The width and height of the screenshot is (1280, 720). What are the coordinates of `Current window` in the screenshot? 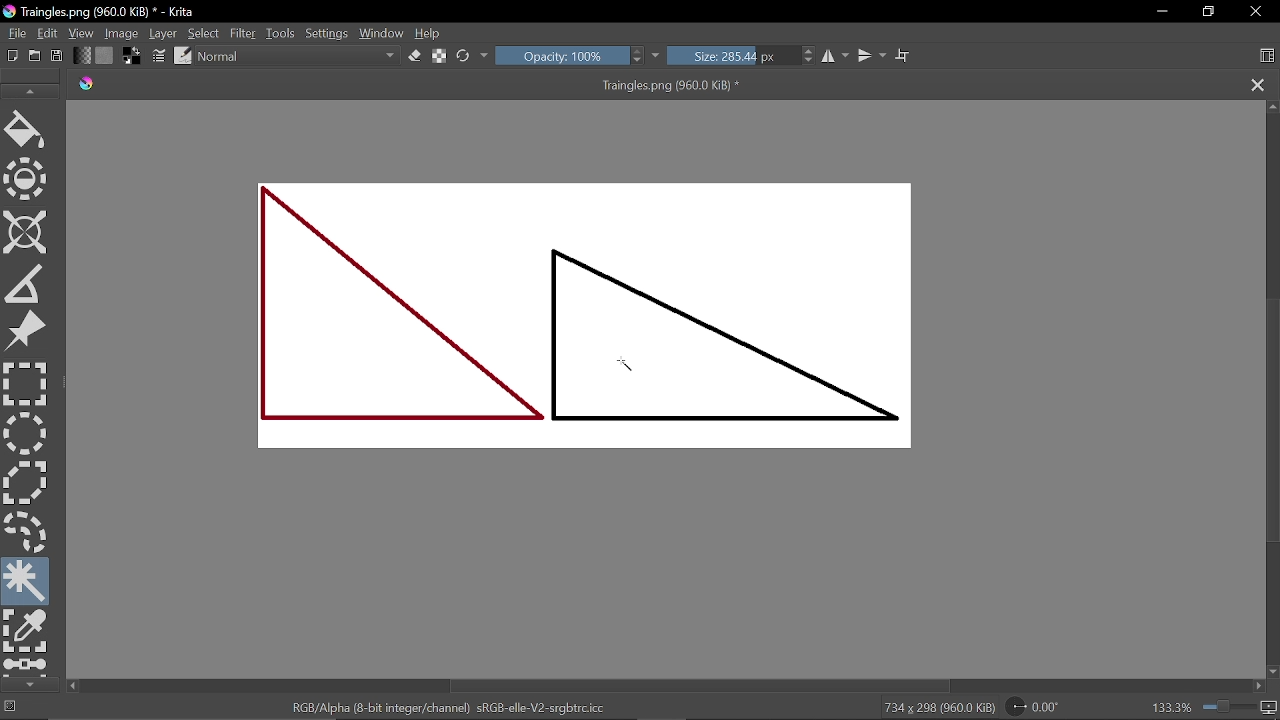 It's located at (102, 12).